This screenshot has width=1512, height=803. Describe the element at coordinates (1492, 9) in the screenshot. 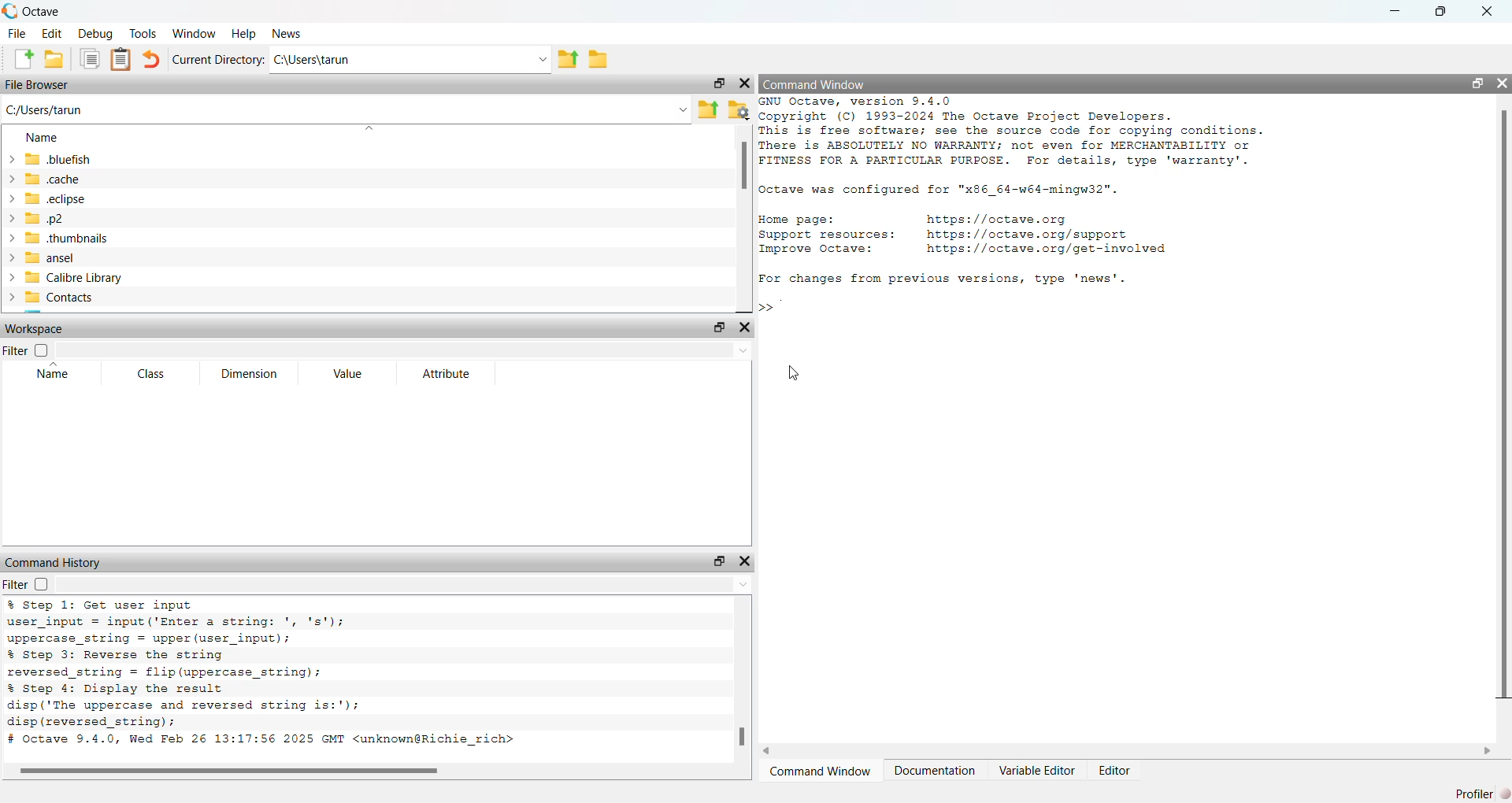

I see `close` at that location.